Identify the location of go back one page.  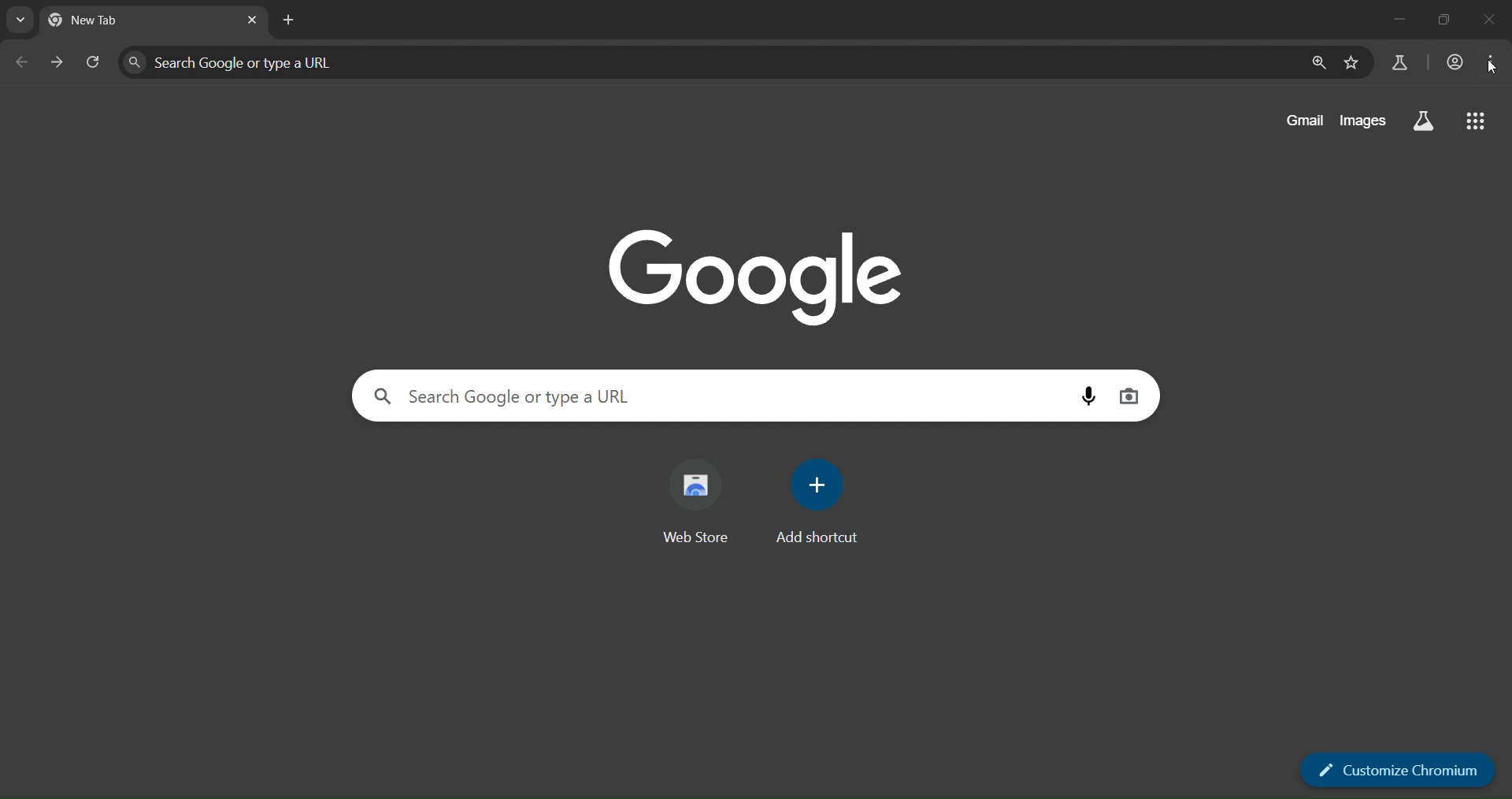
(23, 61).